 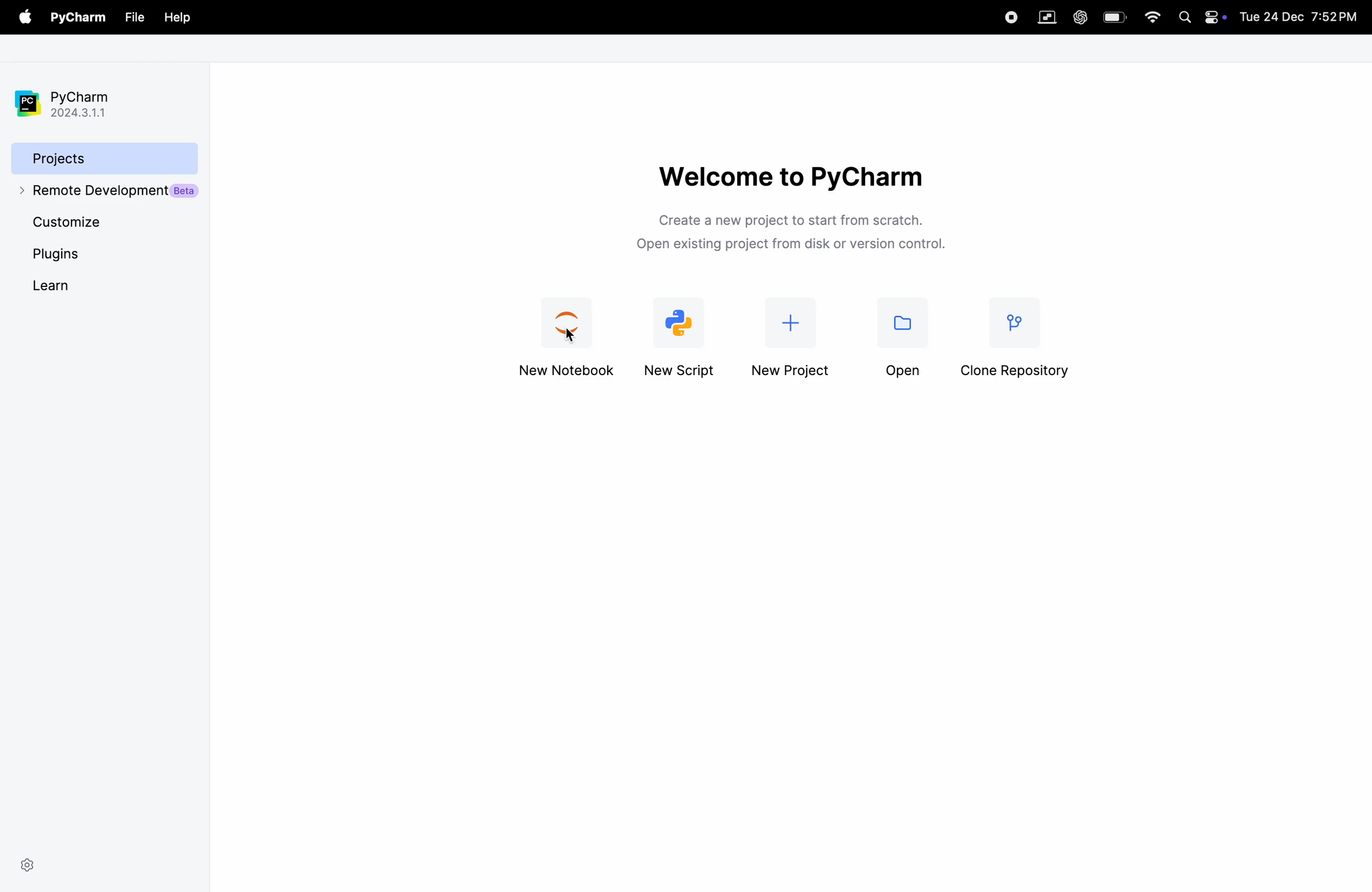 I want to click on plugins, so click(x=76, y=251).